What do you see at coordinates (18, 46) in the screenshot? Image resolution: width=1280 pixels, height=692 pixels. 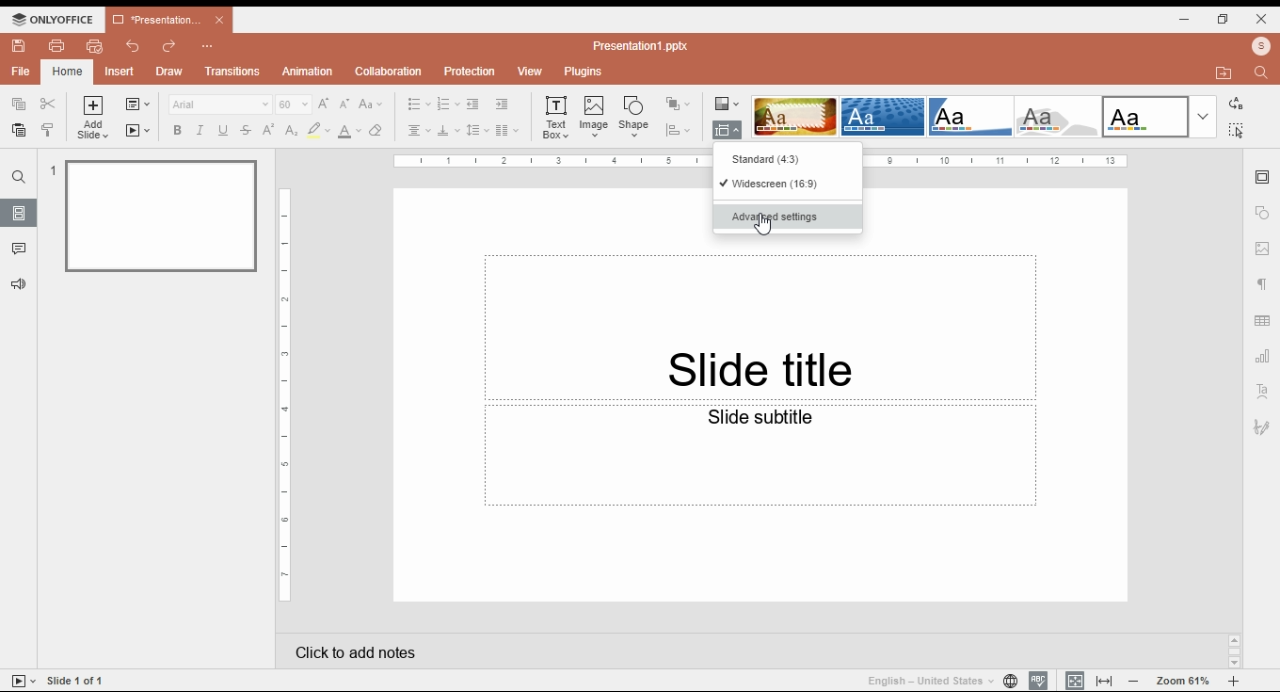 I see `save` at bounding box center [18, 46].